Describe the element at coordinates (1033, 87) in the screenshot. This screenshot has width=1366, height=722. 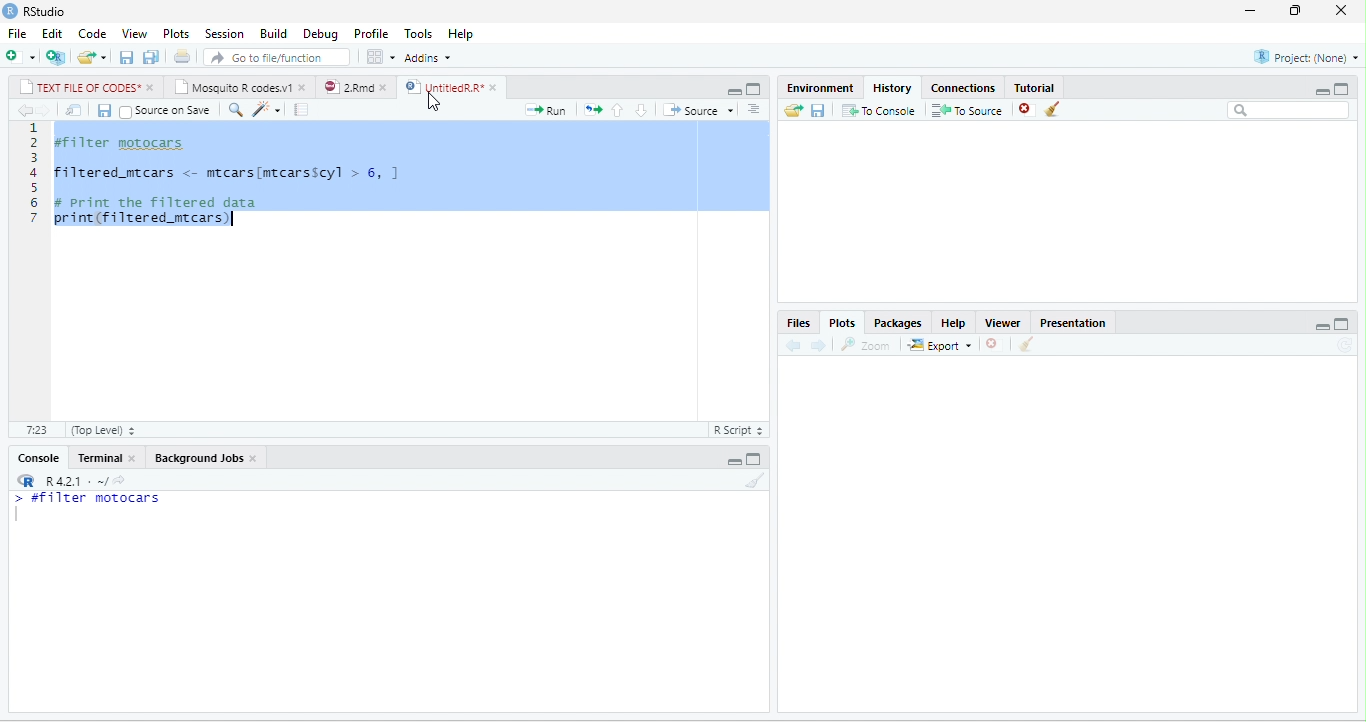
I see `Tutorial` at that location.